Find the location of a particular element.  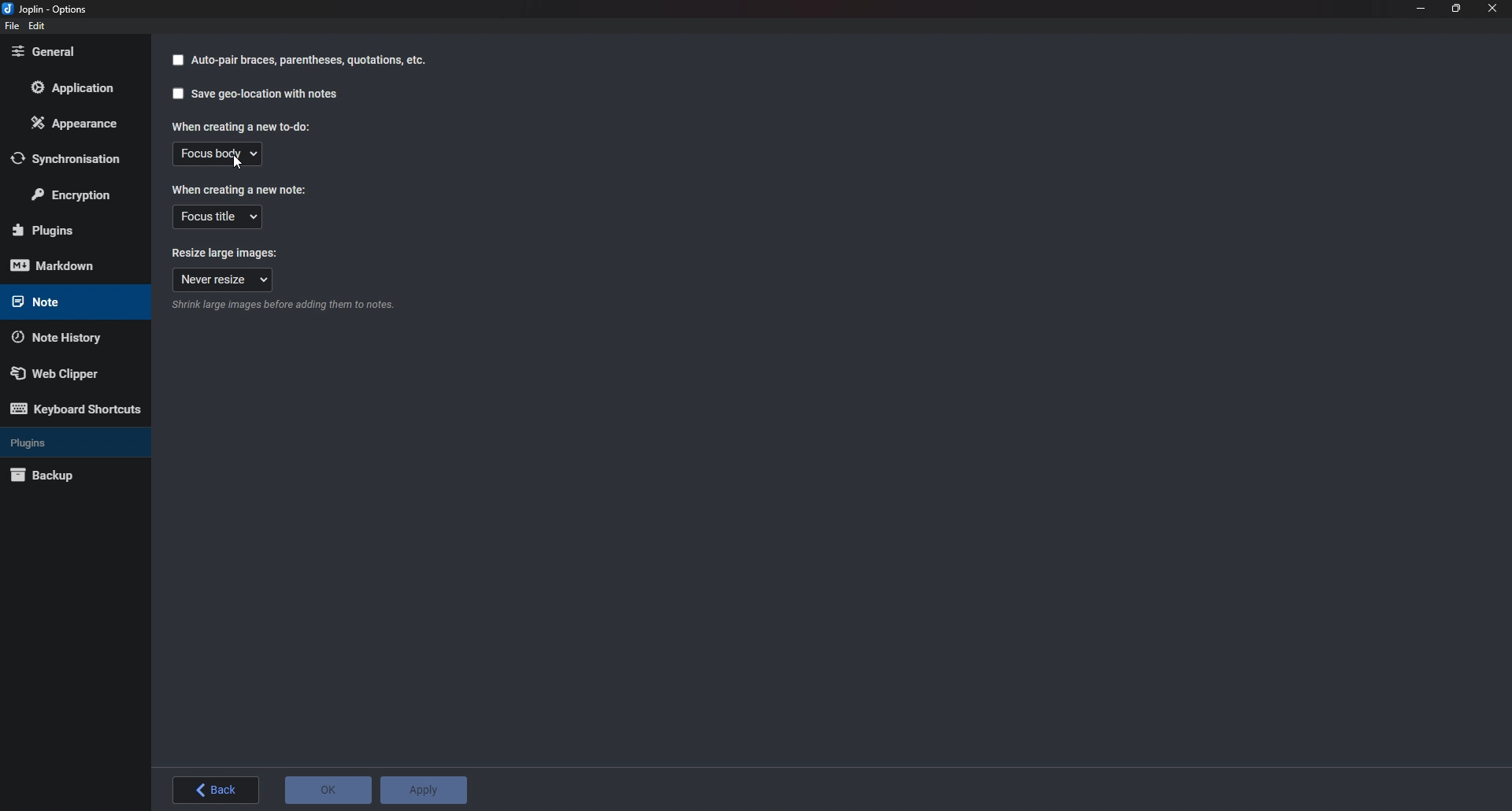

cursor is located at coordinates (239, 165).